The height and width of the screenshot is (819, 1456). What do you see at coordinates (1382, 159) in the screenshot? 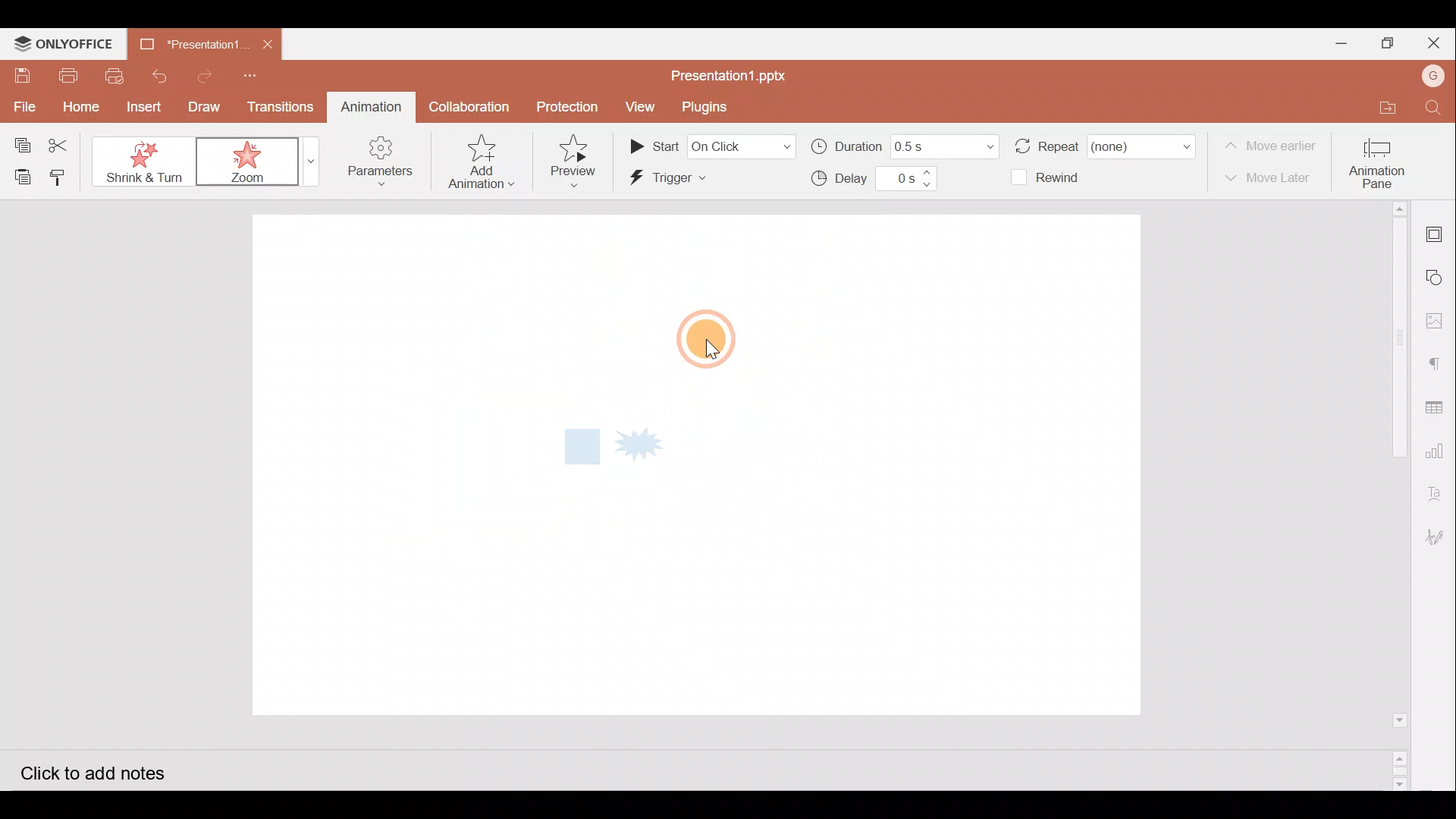
I see `Animation pane` at bounding box center [1382, 159].